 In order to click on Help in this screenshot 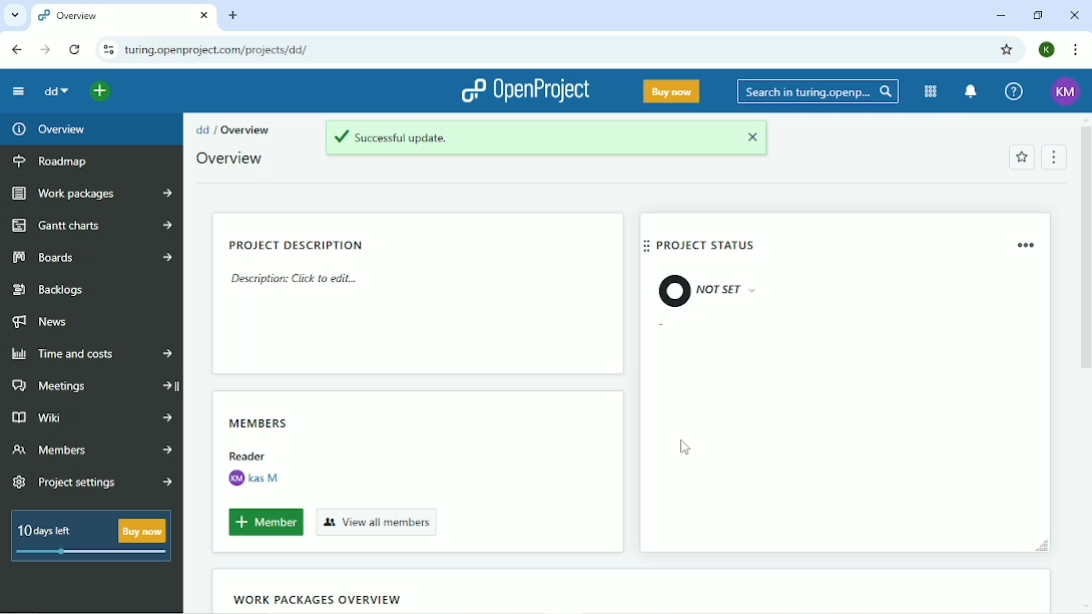, I will do `click(1014, 92)`.